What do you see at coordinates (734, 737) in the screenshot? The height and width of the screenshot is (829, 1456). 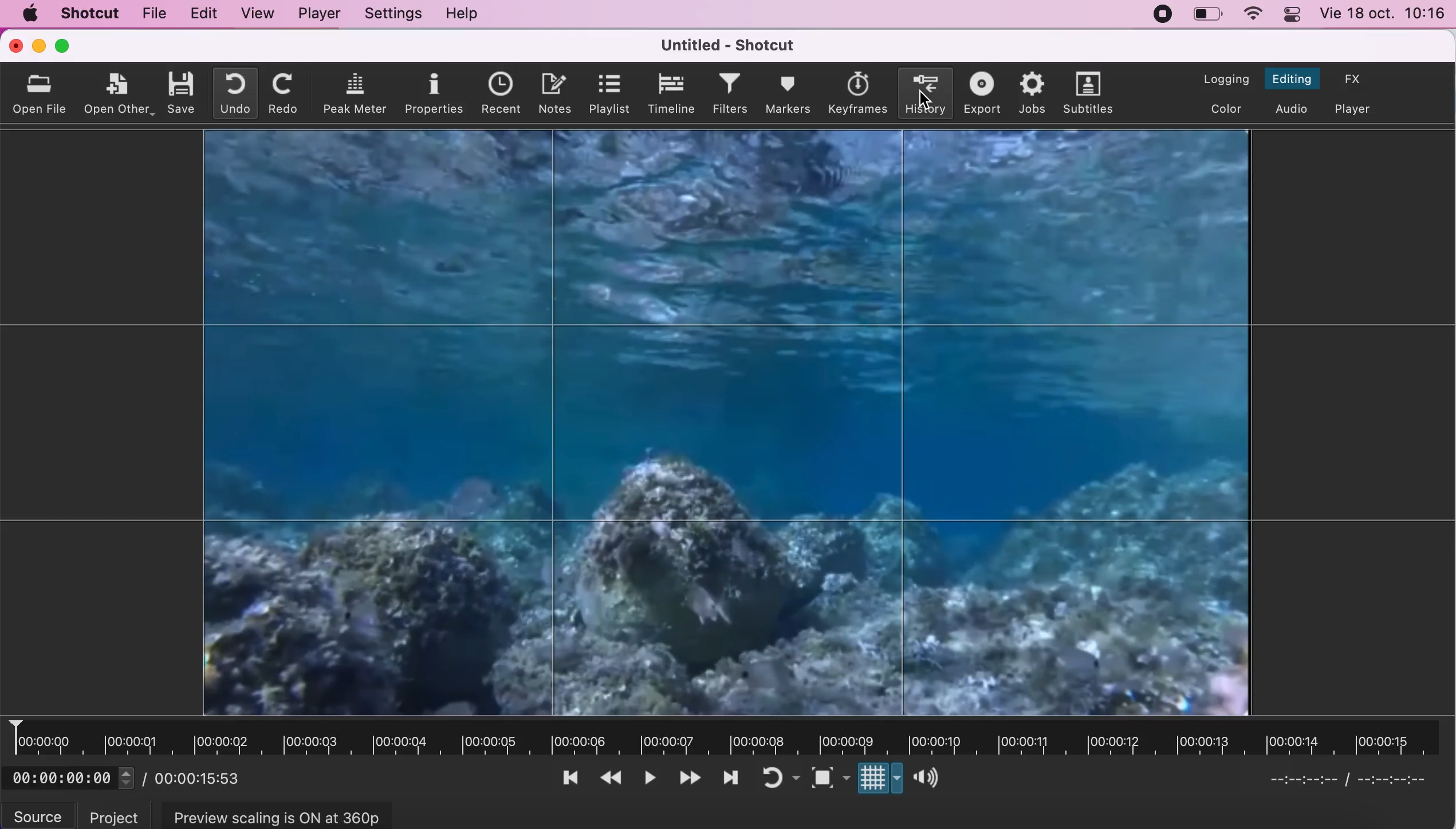 I see `record duration` at bounding box center [734, 737].